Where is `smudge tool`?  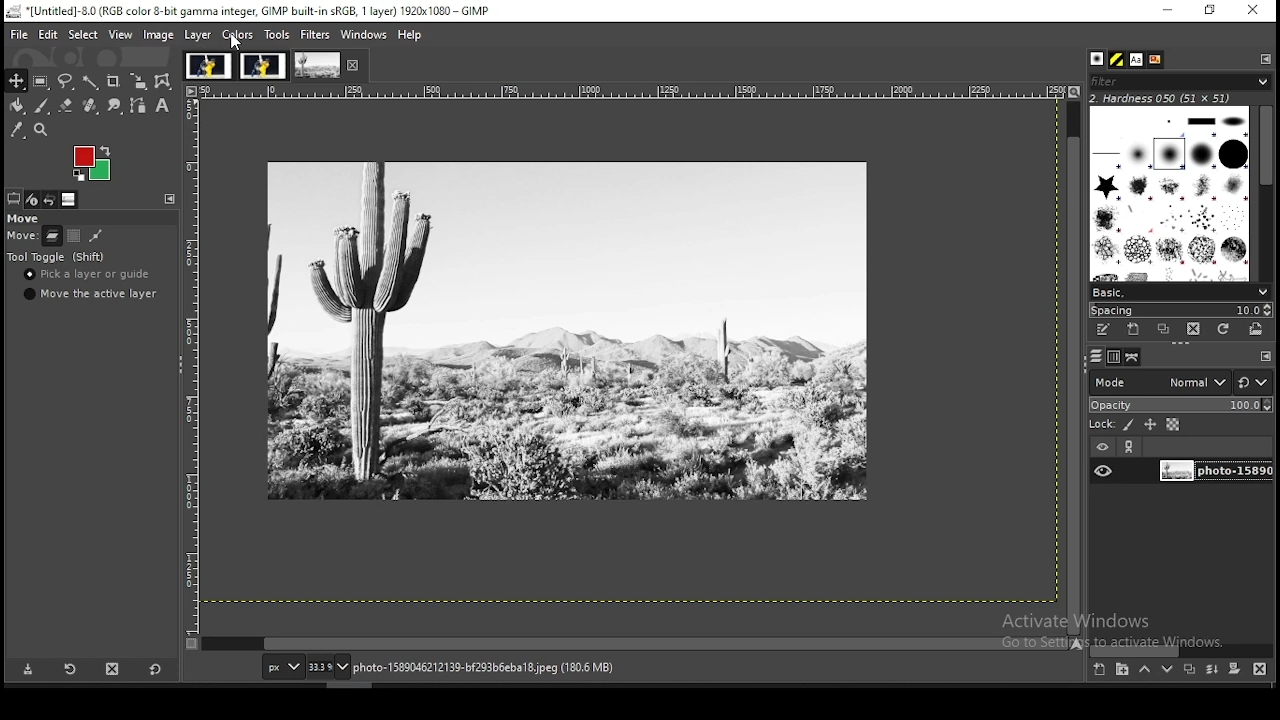
smudge tool is located at coordinates (115, 104).